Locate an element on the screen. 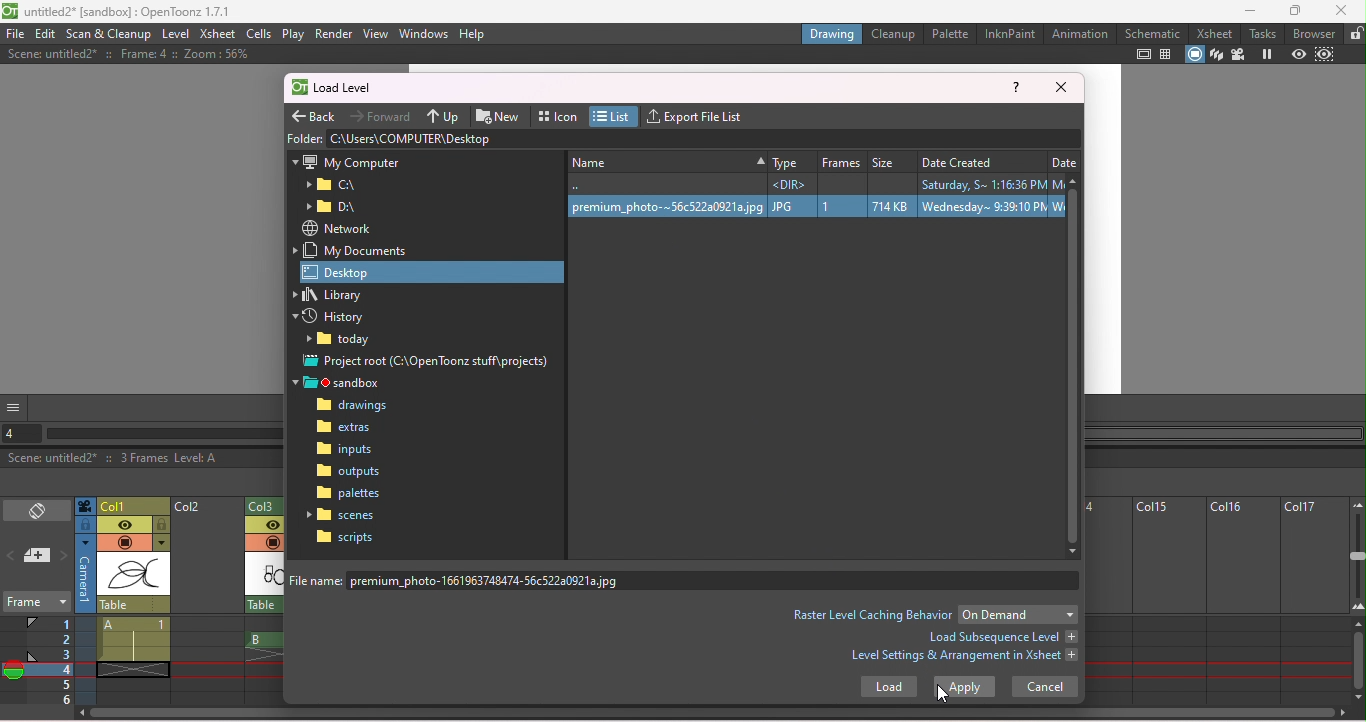 This screenshot has height=722, width=1366. Project root is located at coordinates (428, 363).